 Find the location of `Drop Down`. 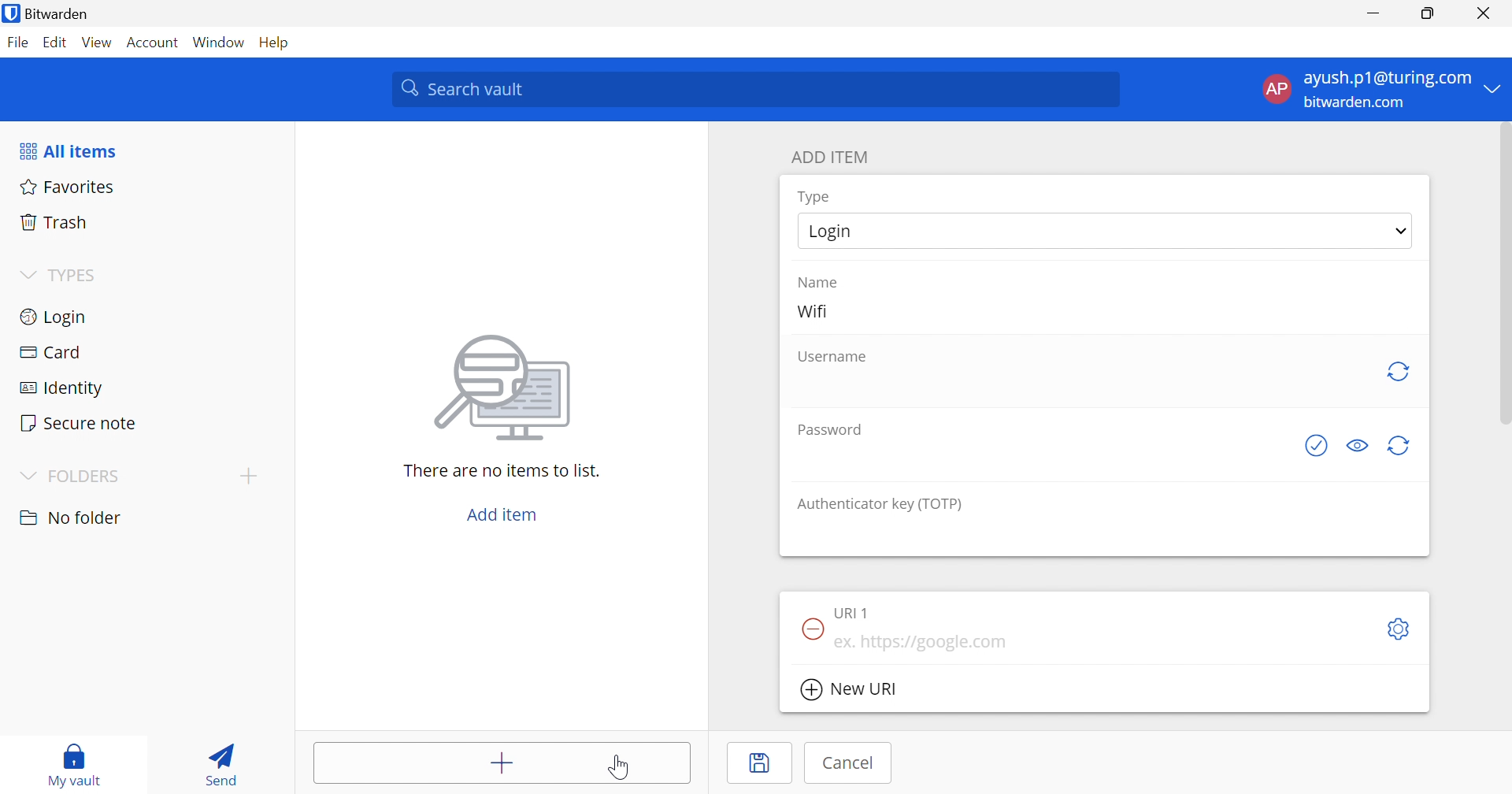

Drop Down is located at coordinates (1494, 87).